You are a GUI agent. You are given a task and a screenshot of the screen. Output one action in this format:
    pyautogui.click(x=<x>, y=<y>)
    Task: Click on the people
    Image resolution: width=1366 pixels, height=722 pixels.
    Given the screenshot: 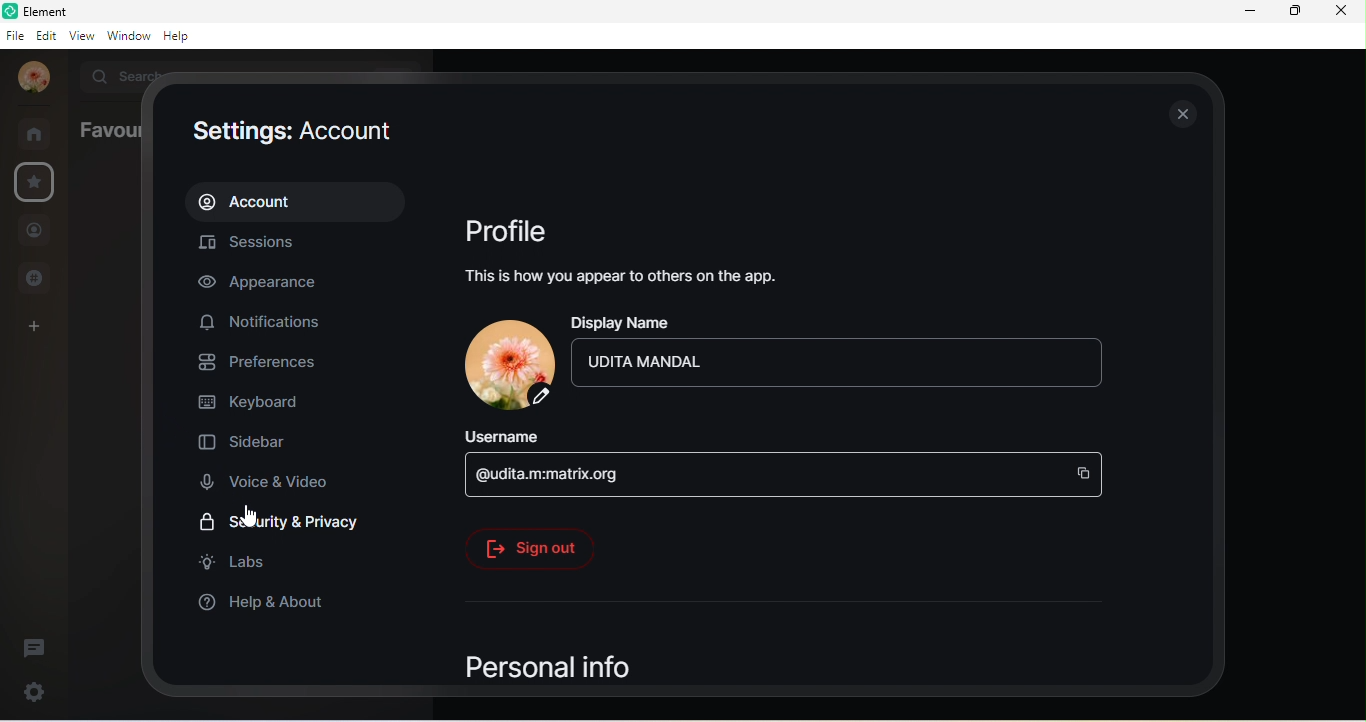 What is the action you would take?
    pyautogui.click(x=34, y=233)
    